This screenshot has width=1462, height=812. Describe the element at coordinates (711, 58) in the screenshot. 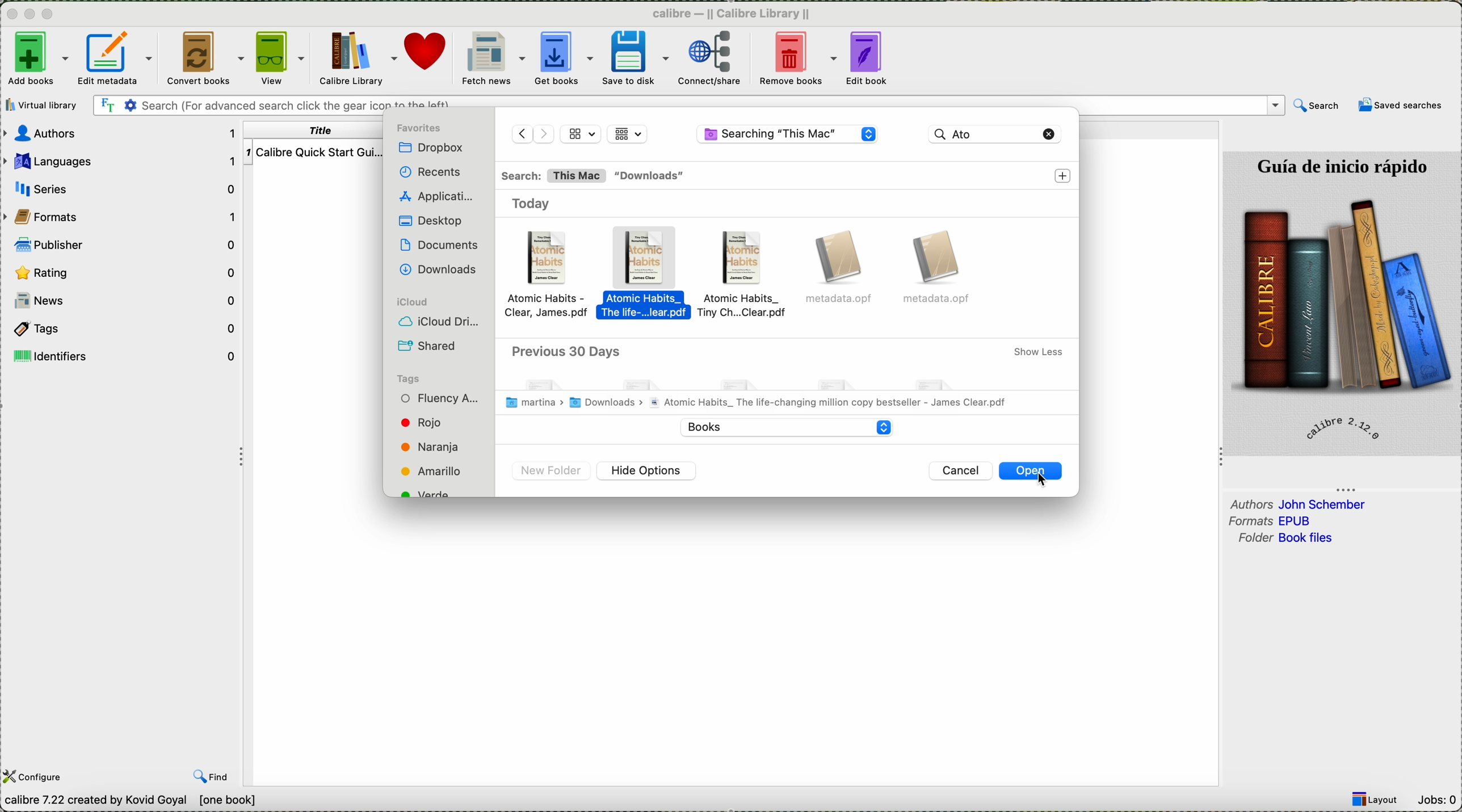

I see `connect/share` at that location.